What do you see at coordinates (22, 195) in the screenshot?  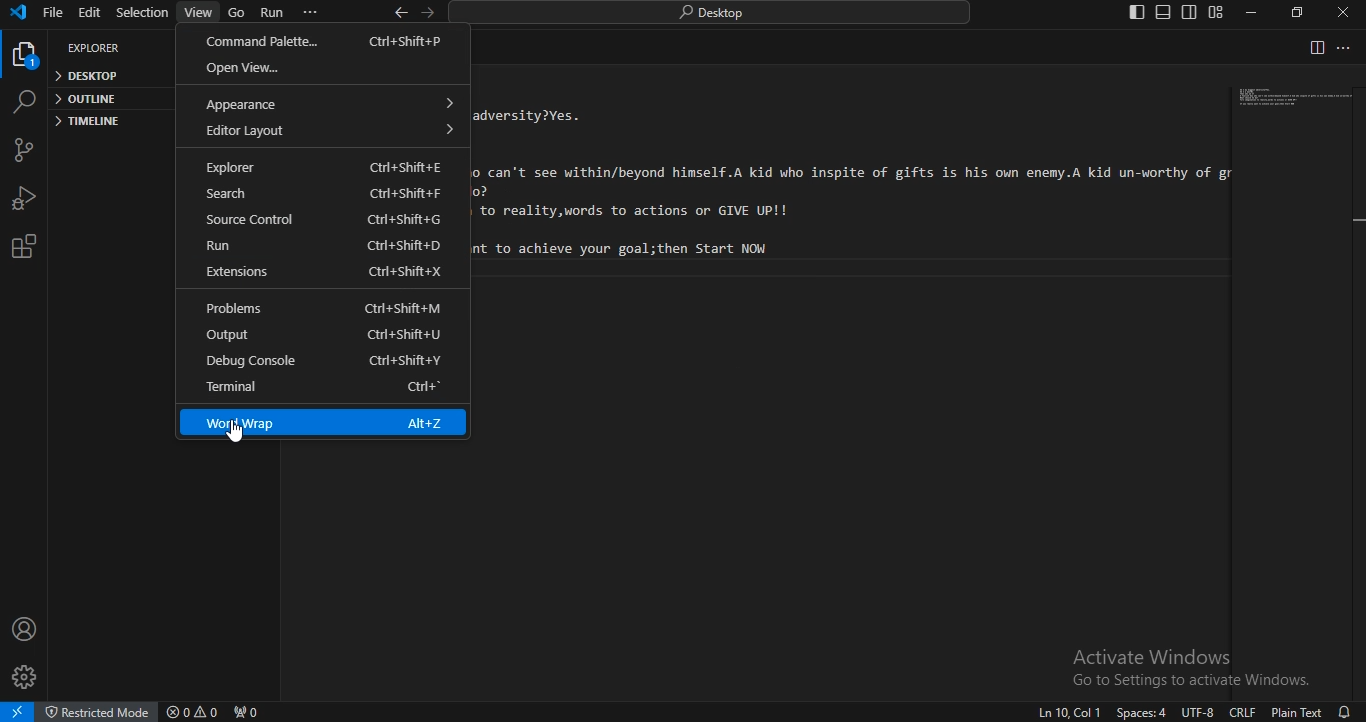 I see `run and debug` at bounding box center [22, 195].